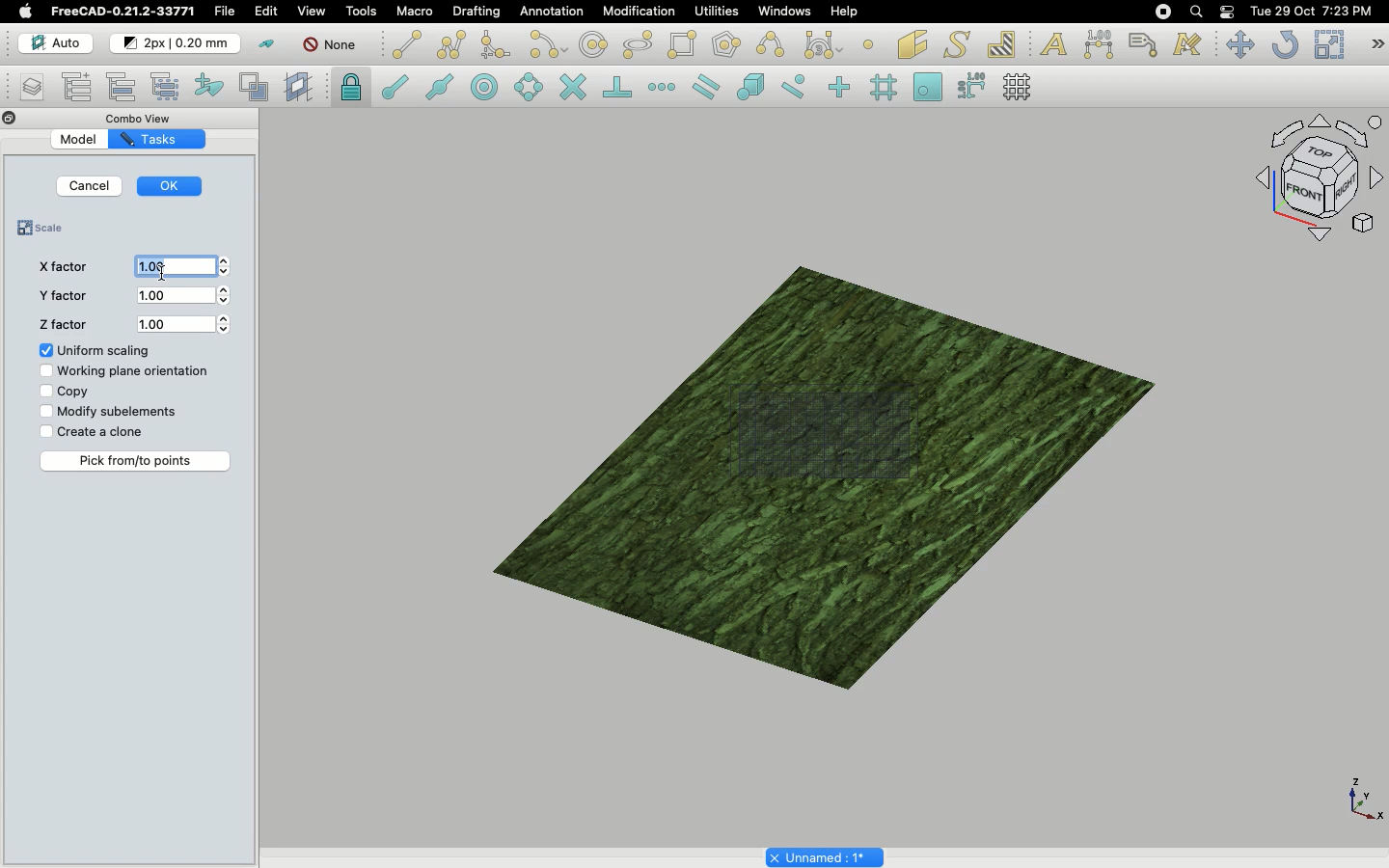  I want to click on Help, so click(845, 10).